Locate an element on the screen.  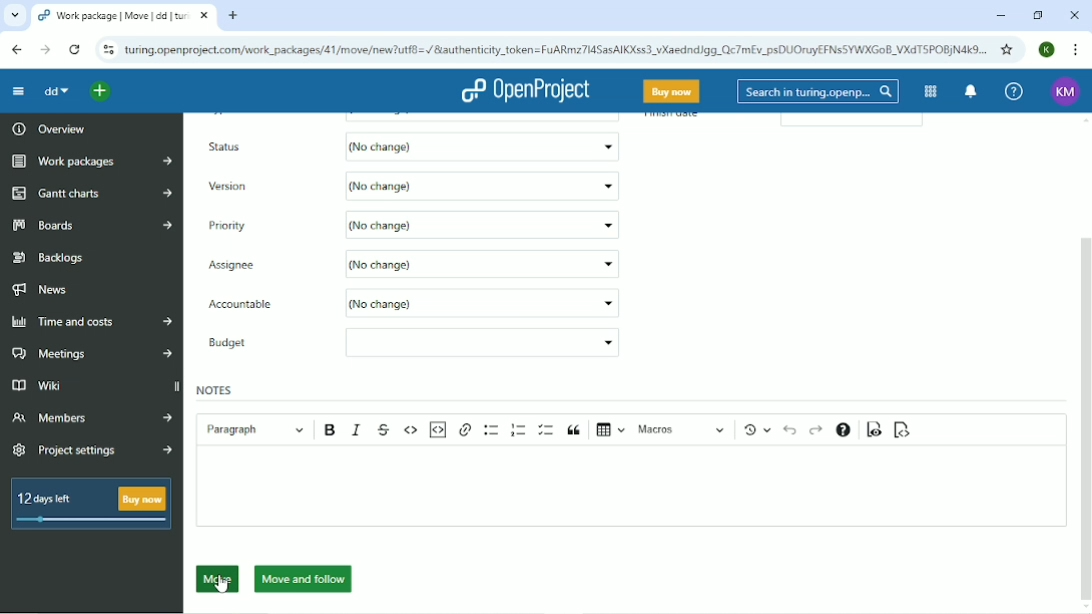
Notes is located at coordinates (224, 388).